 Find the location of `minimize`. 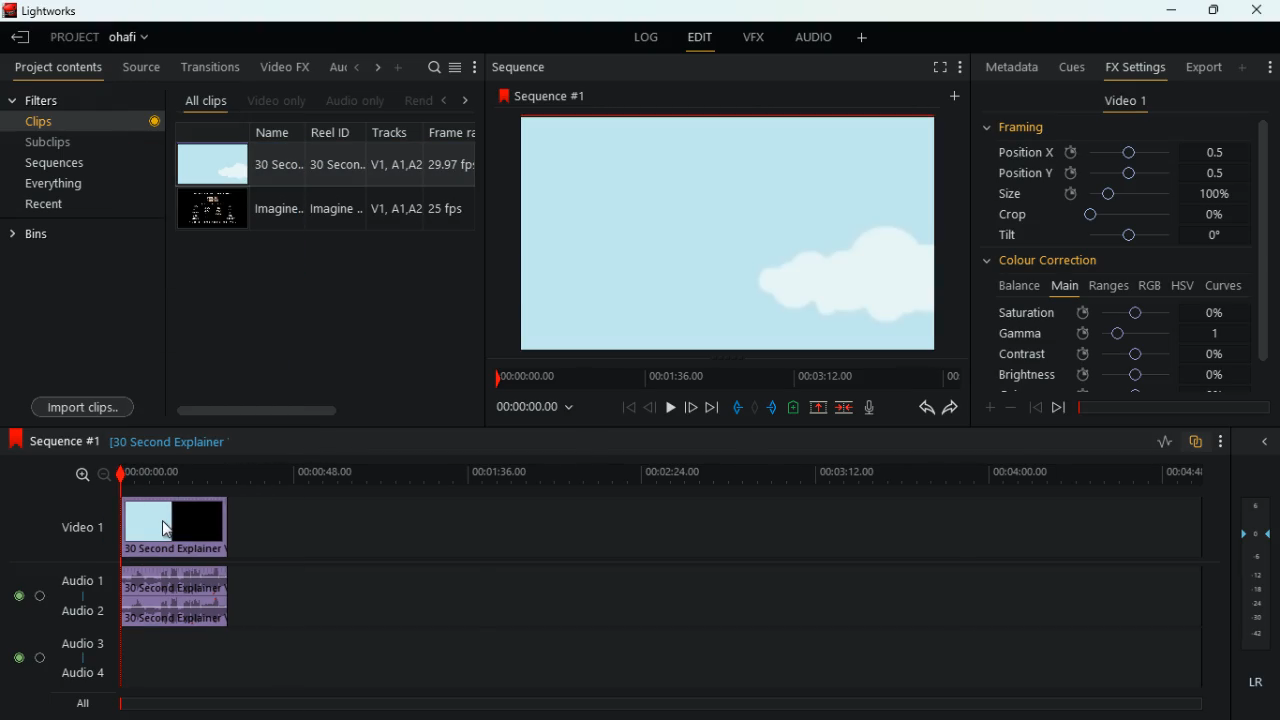

minimize is located at coordinates (1171, 12).